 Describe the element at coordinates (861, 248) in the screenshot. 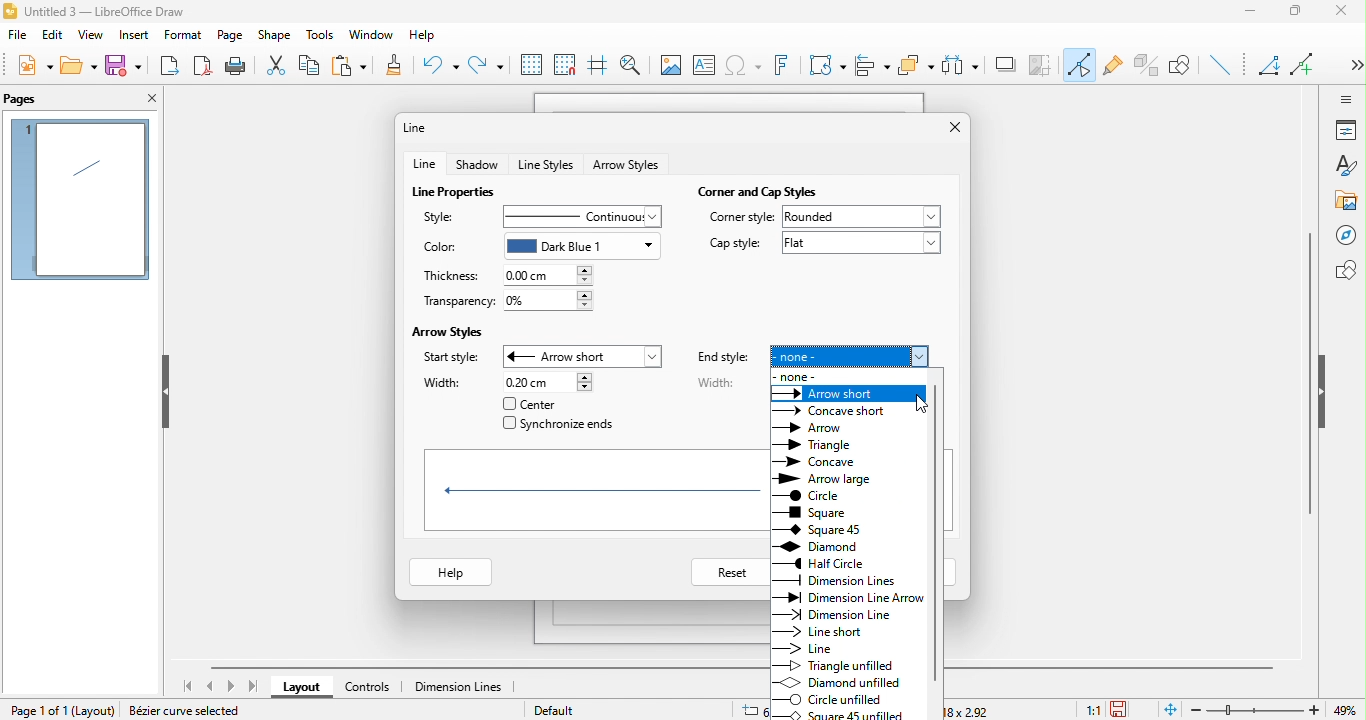

I see `flat` at that location.